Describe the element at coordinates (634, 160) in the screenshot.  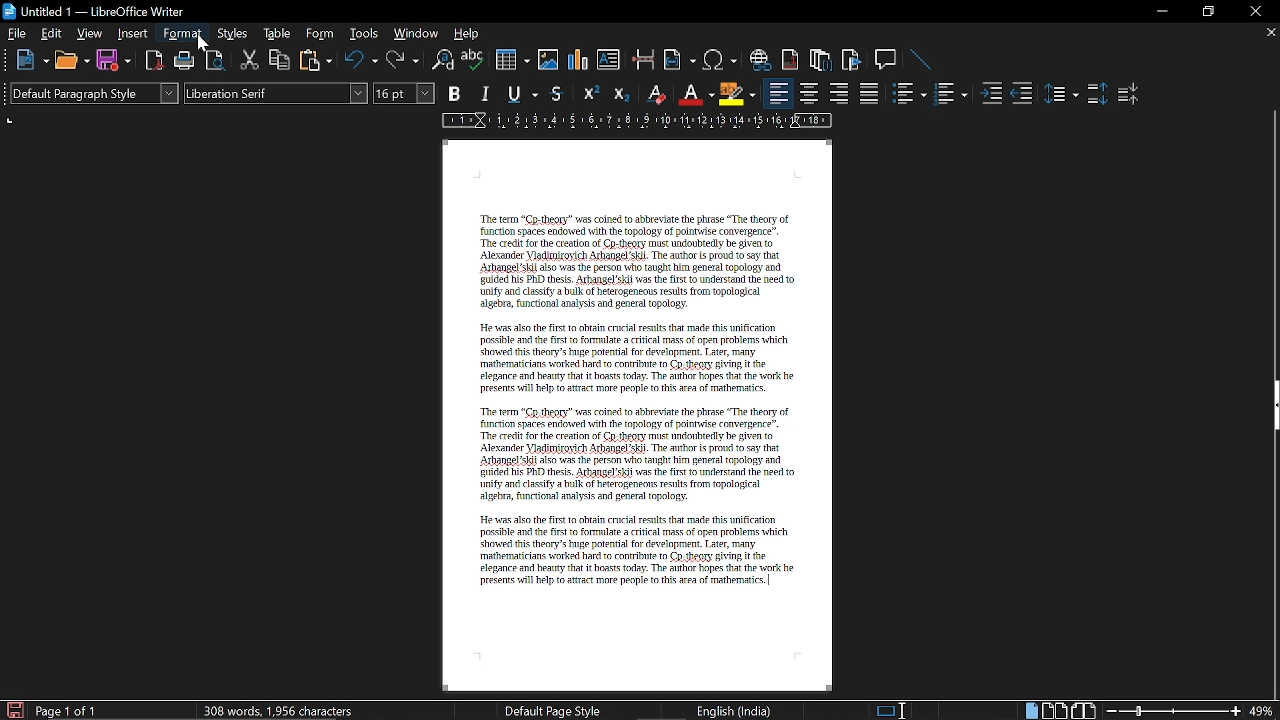
I see `Header` at that location.